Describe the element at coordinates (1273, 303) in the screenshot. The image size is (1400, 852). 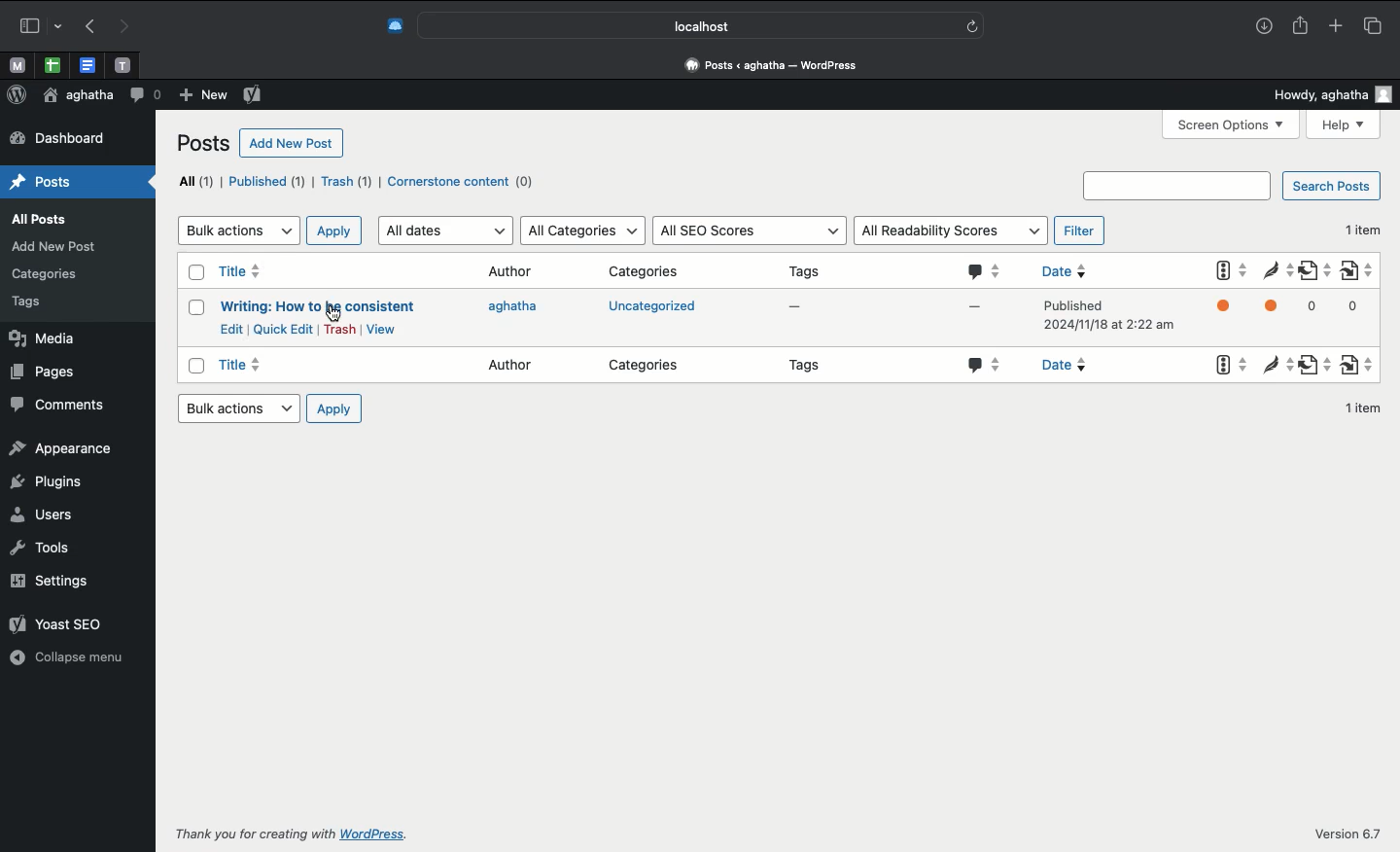
I see `Readability ` at that location.